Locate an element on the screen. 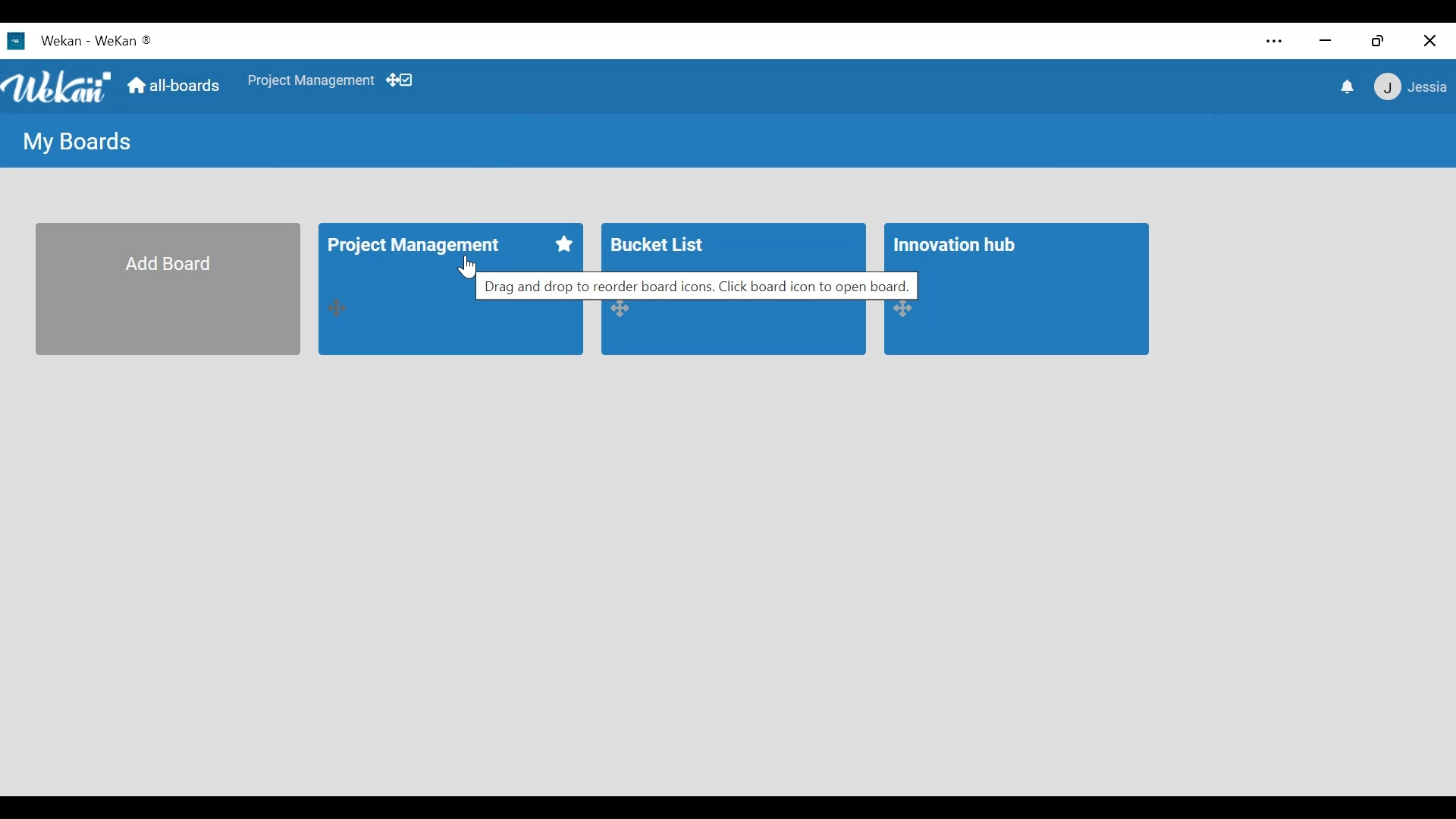 The height and width of the screenshot is (819, 1456). Shortcut to favourites is located at coordinates (312, 82).